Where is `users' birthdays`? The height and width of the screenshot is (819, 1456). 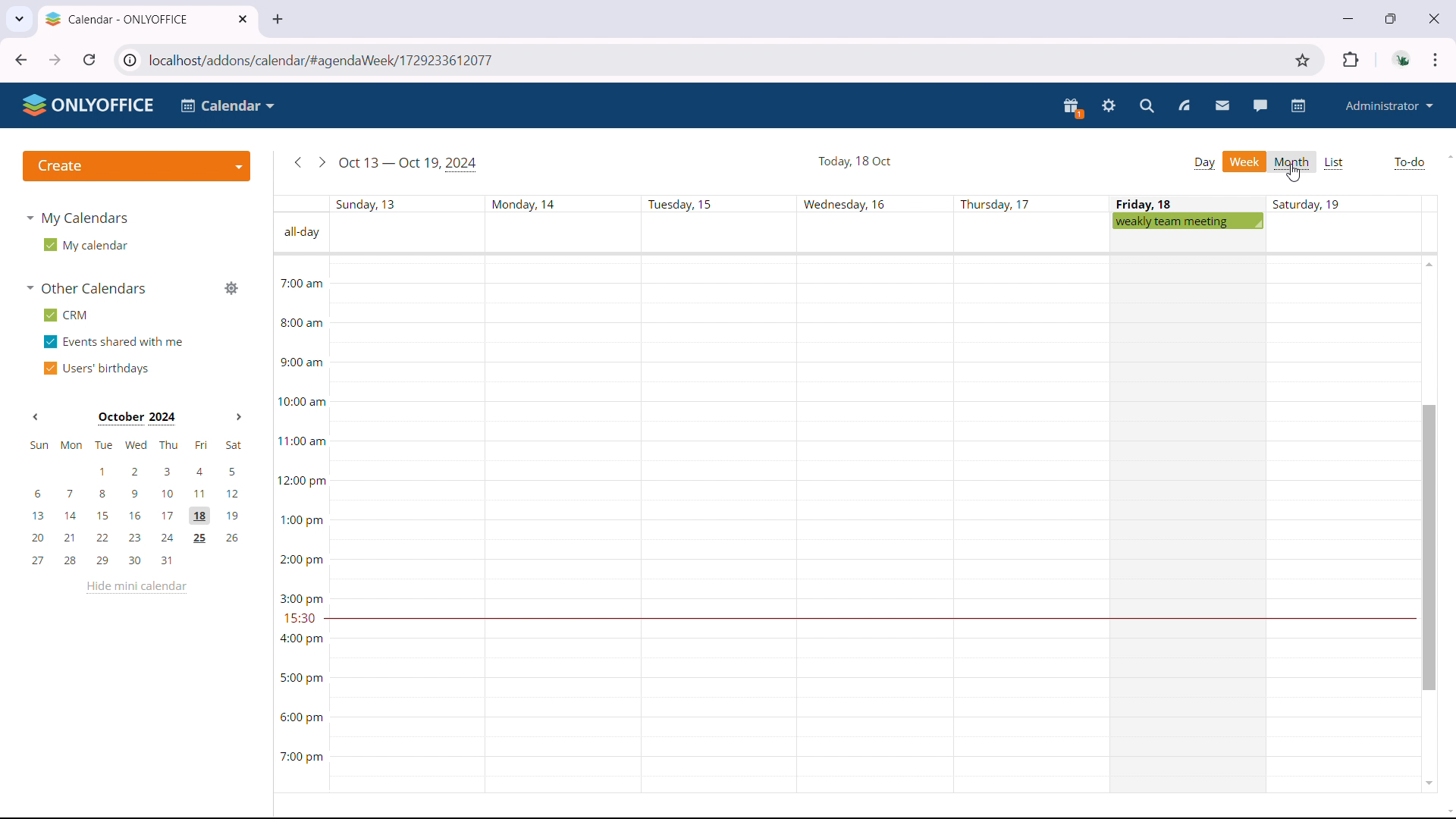 users' birthdays is located at coordinates (98, 368).